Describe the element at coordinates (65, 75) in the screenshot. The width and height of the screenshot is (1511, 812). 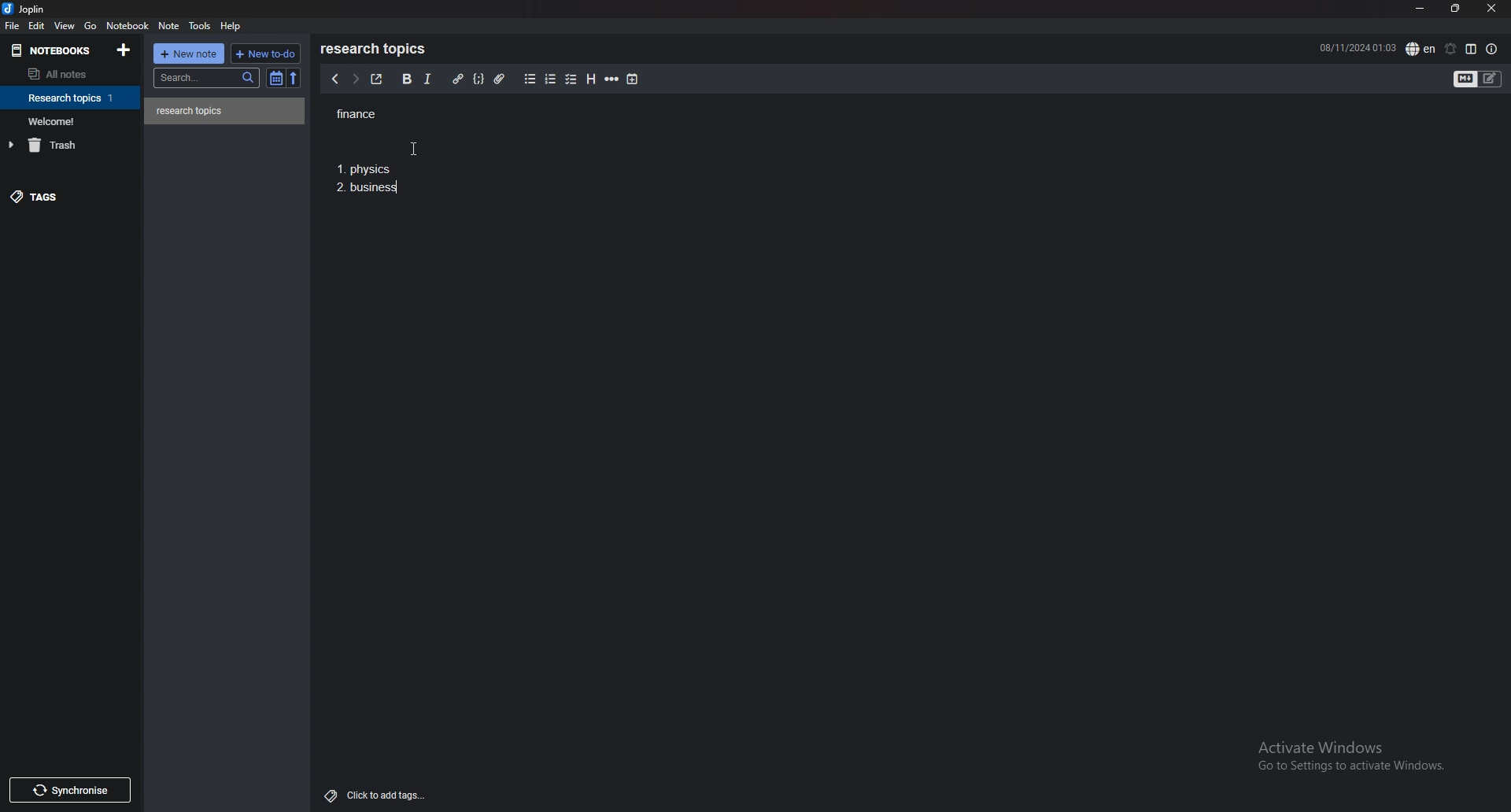
I see `all notes` at that location.